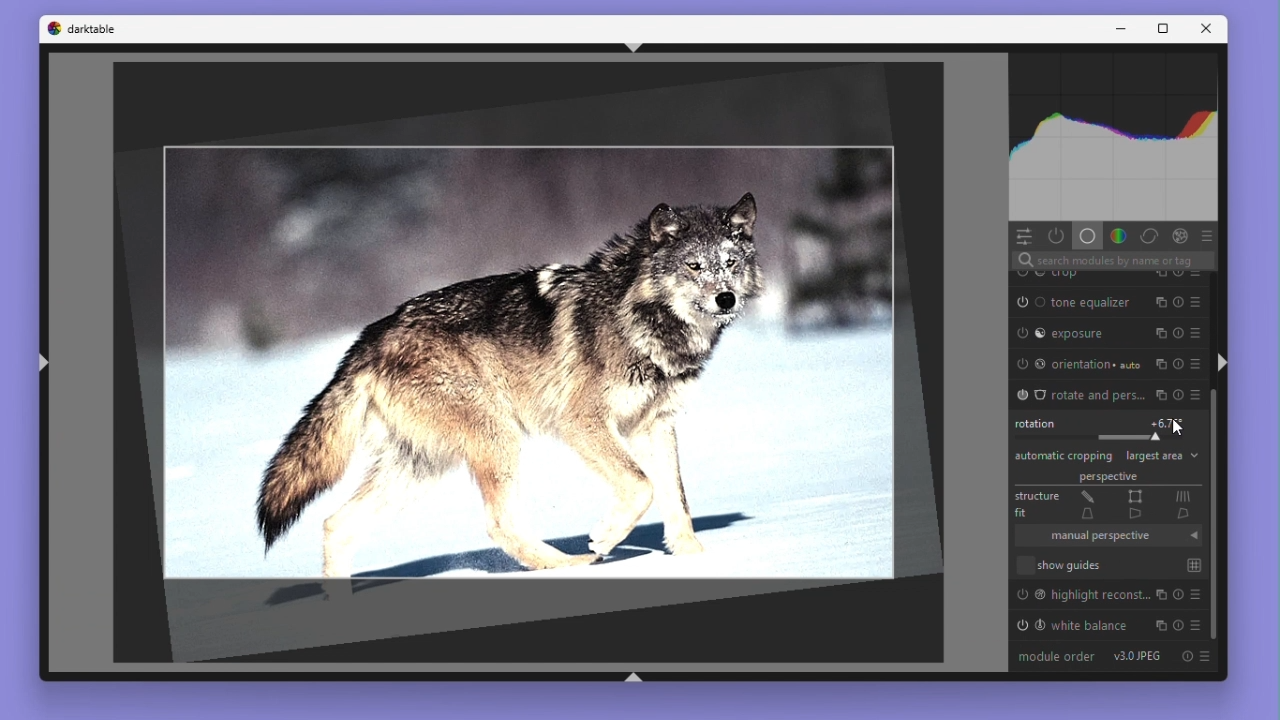 This screenshot has height=720, width=1280. I want to click on Image, so click(534, 363).